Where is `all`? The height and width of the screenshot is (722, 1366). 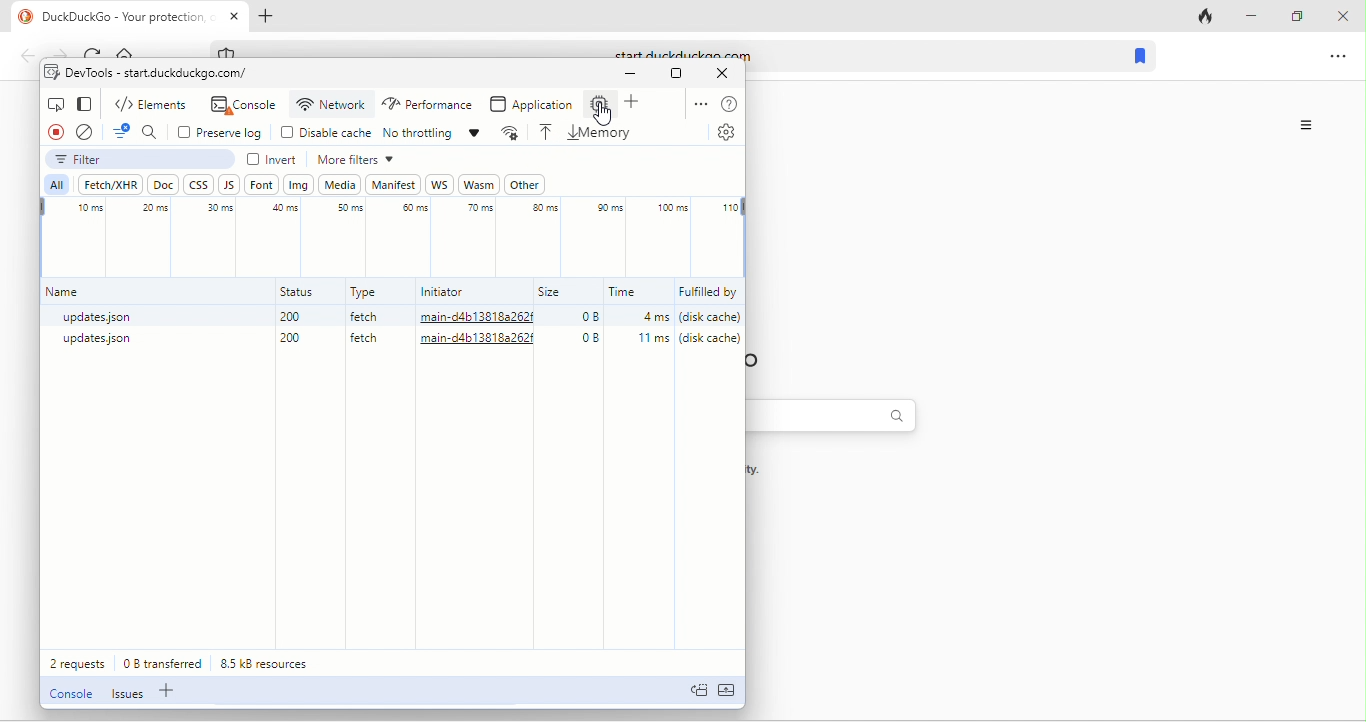 all is located at coordinates (61, 183).